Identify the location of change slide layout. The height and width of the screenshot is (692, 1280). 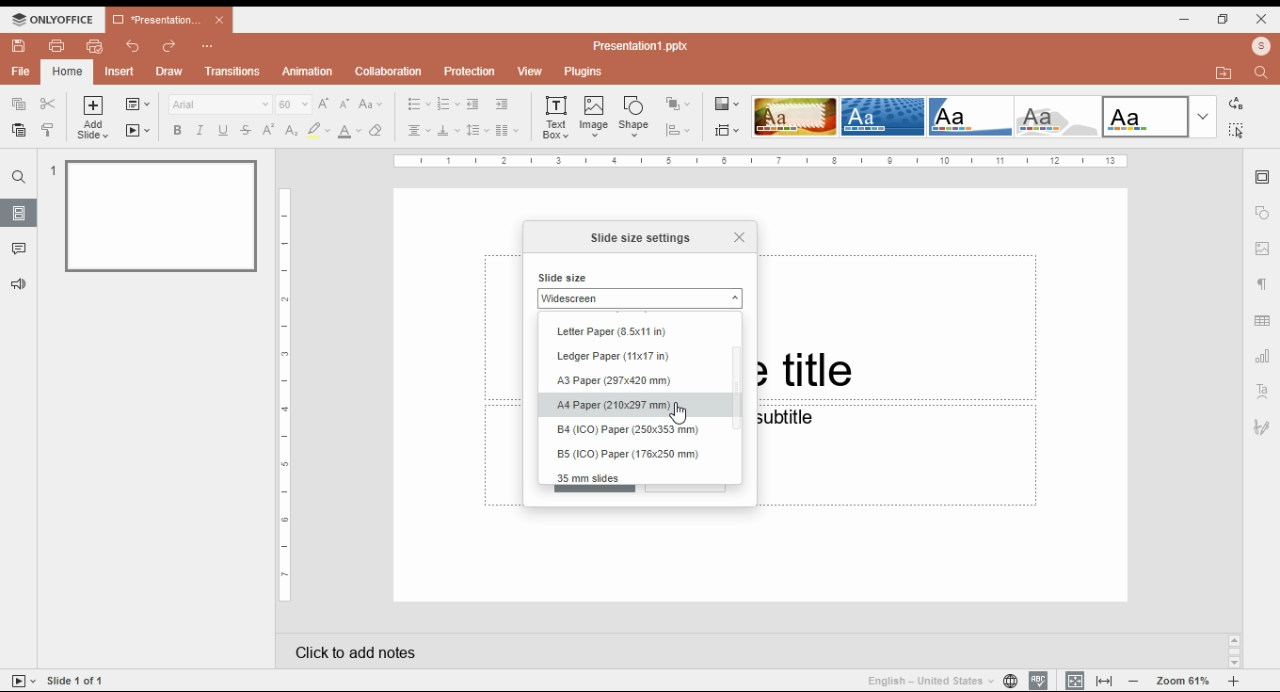
(137, 104).